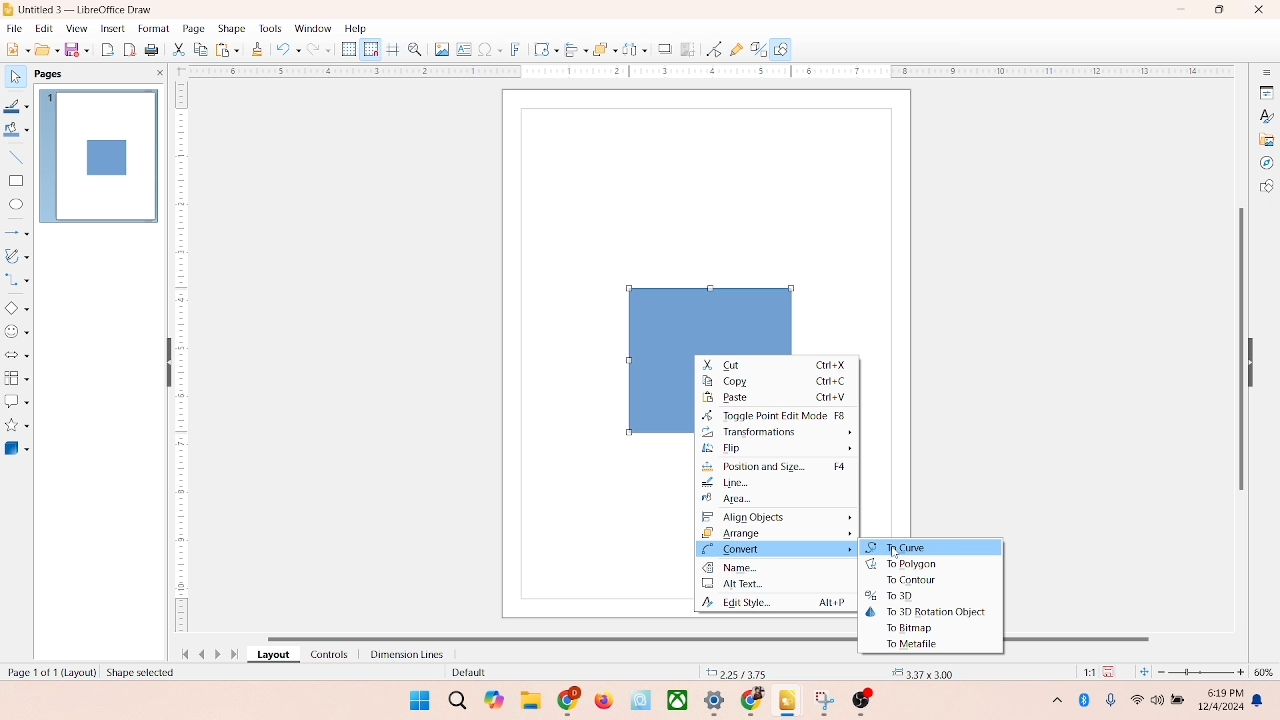 The image size is (1280, 720). Describe the element at coordinates (1180, 701) in the screenshot. I see `battery` at that location.